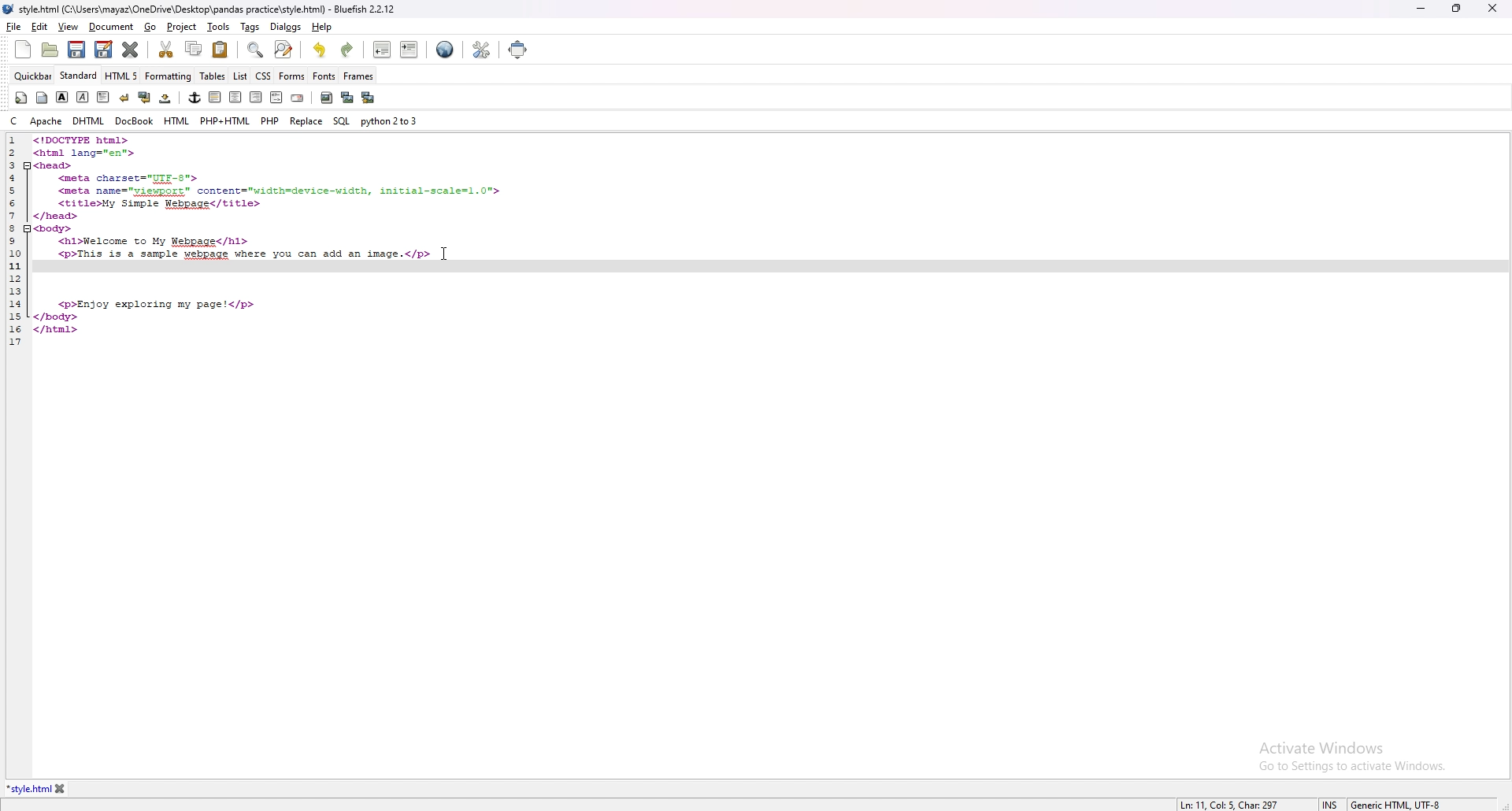 This screenshot has width=1512, height=811. Describe the element at coordinates (346, 98) in the screenshot. I see `insert thumbnail` at that location.